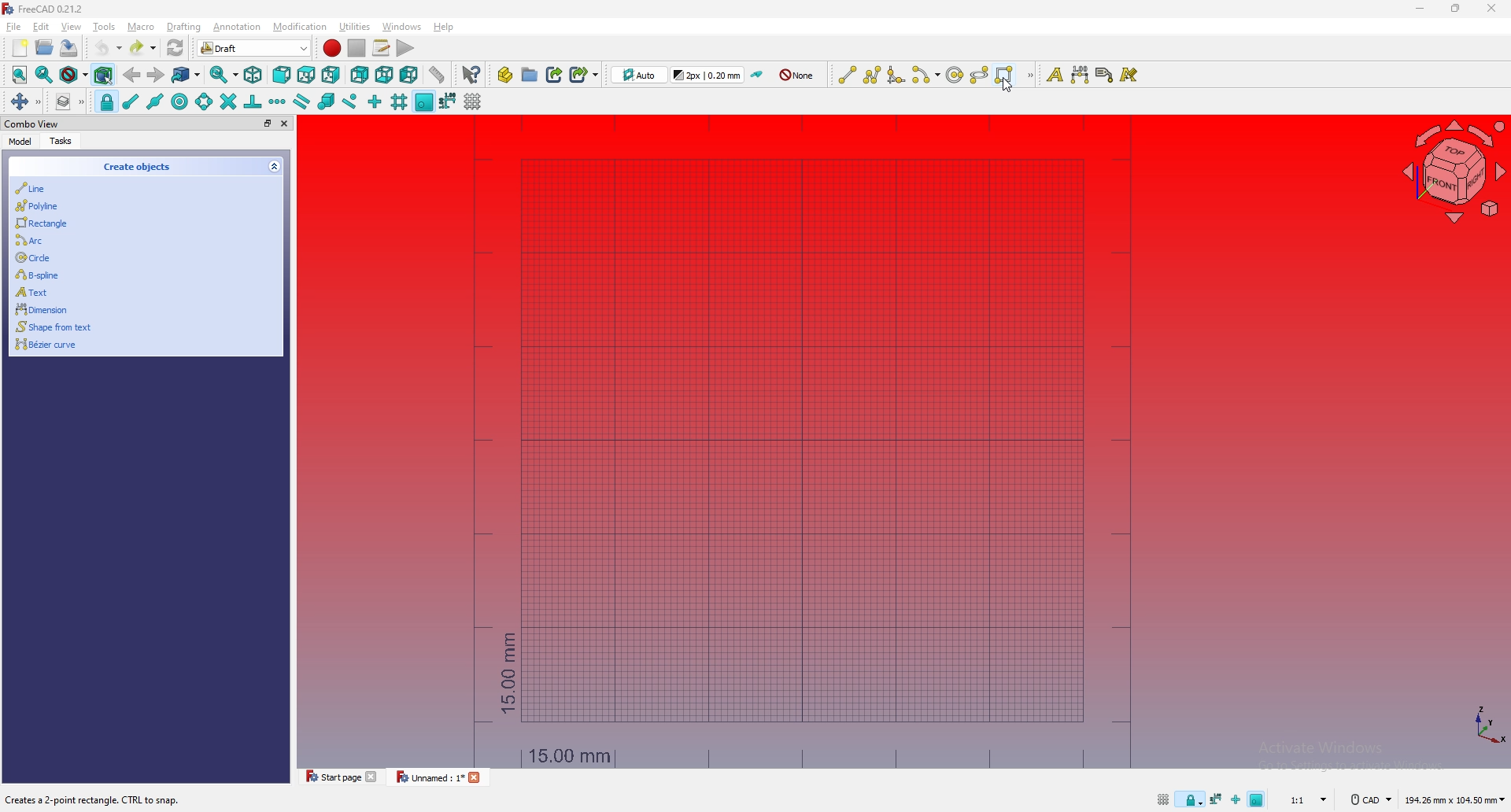 This screenshot has height=812, width=1511. What do you see at coordinates (425, 101) in the screenshot?
I see `snap working plane` at bounding box center [425, 101].